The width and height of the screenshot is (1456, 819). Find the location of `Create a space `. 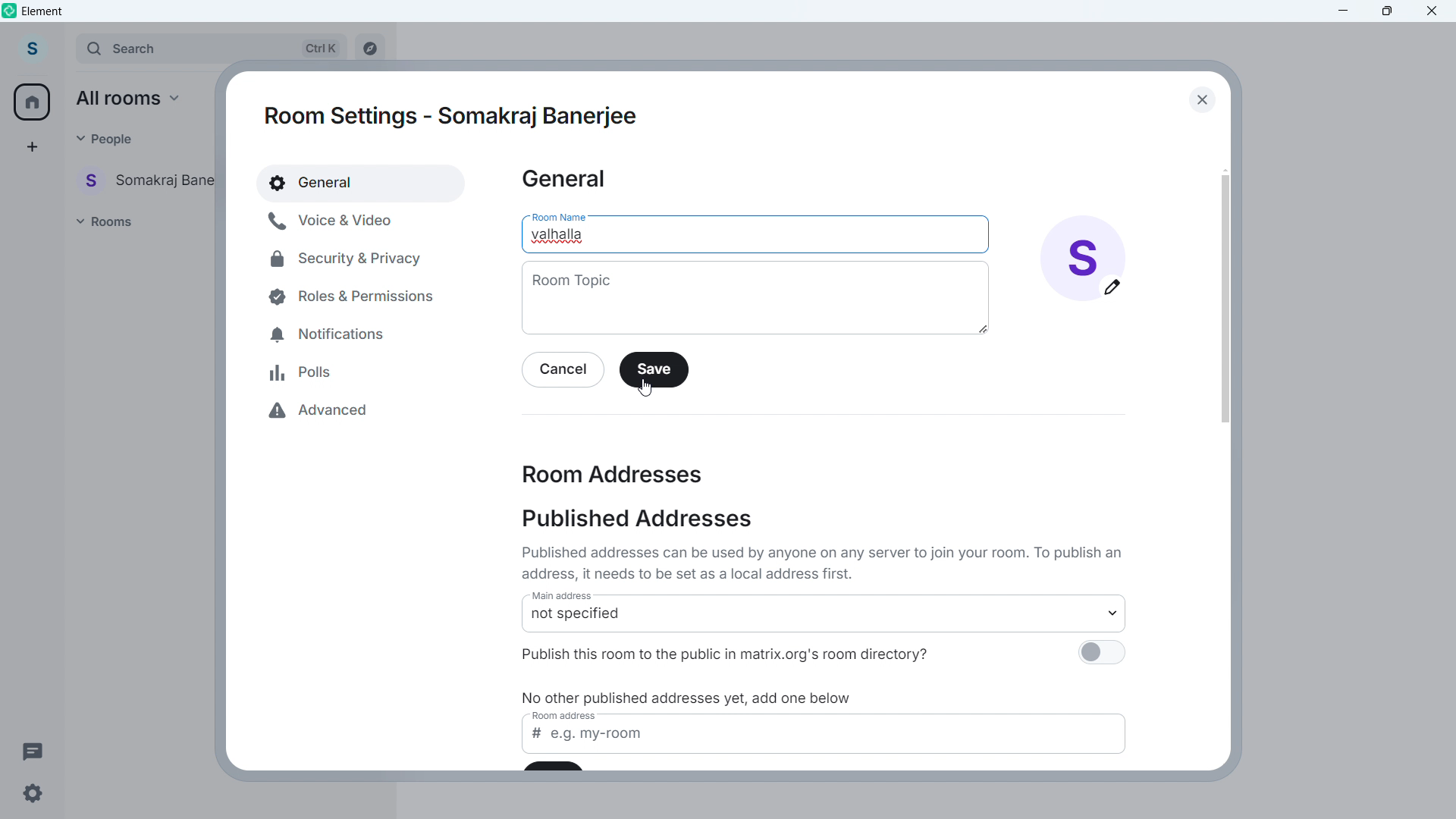

Create a space  is located at coordinates (31, 147).